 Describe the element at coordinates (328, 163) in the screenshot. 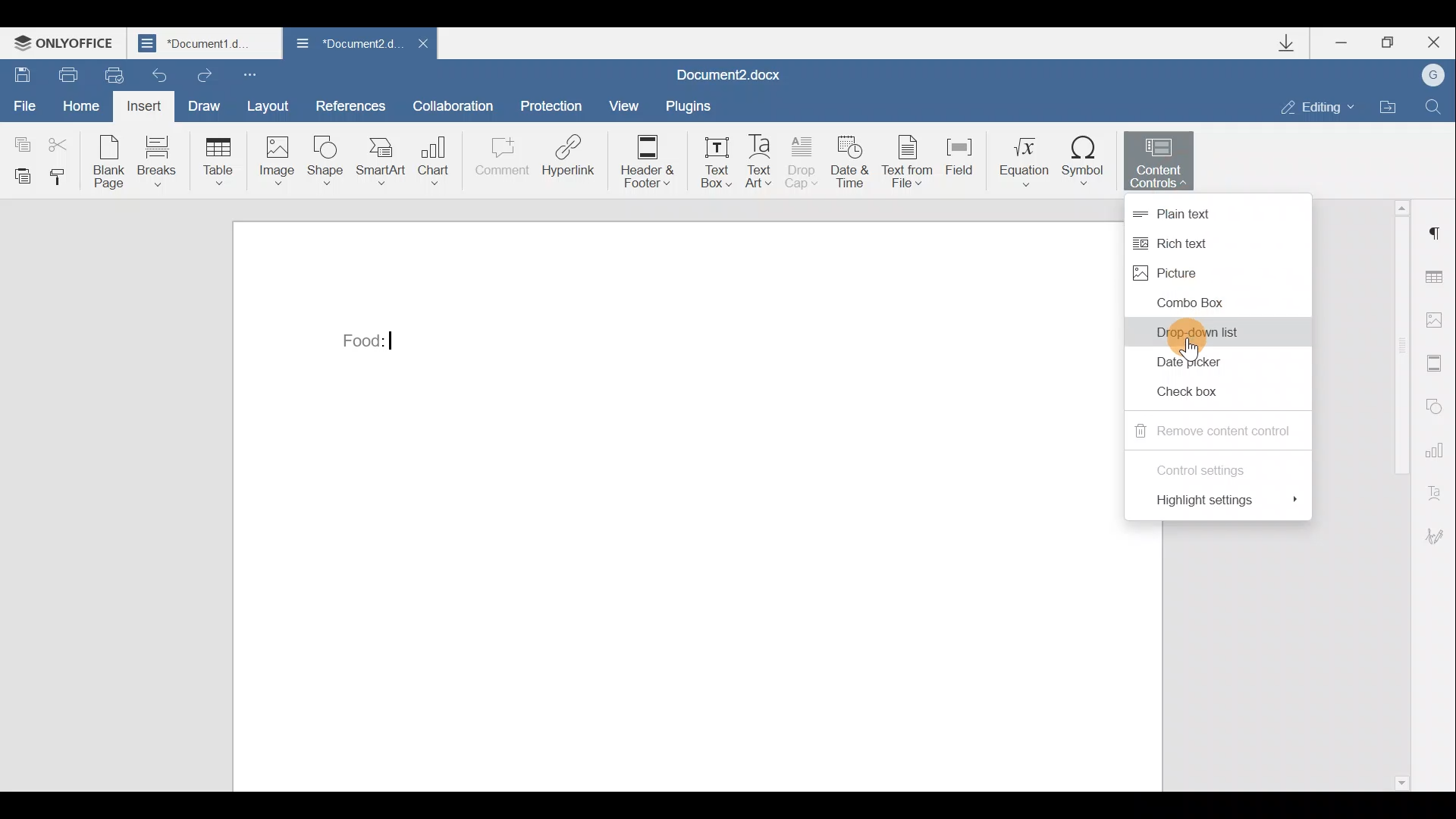

I see `Shape` at that location.